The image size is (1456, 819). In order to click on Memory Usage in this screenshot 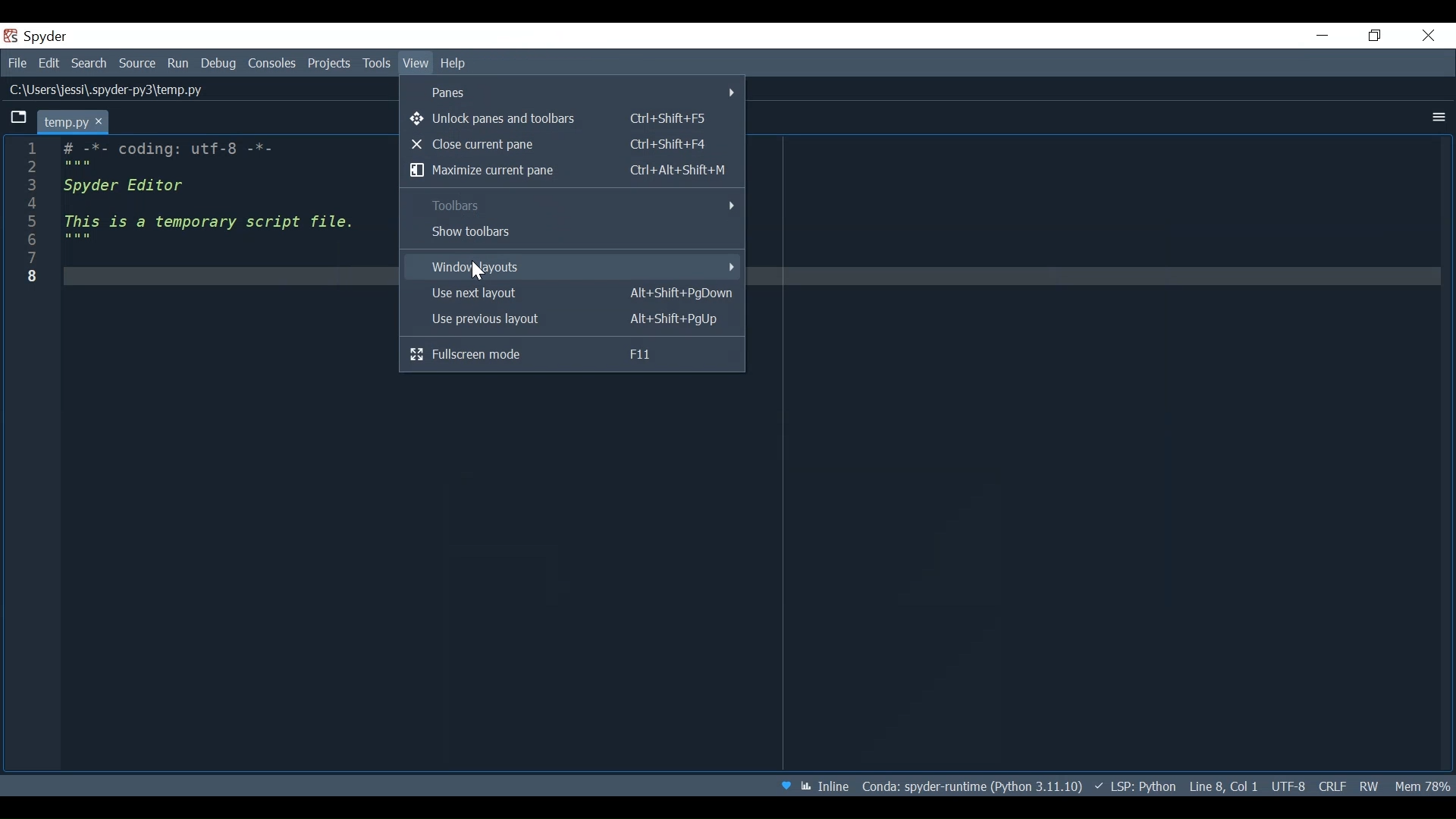, I will do `click(1422, 786)`.